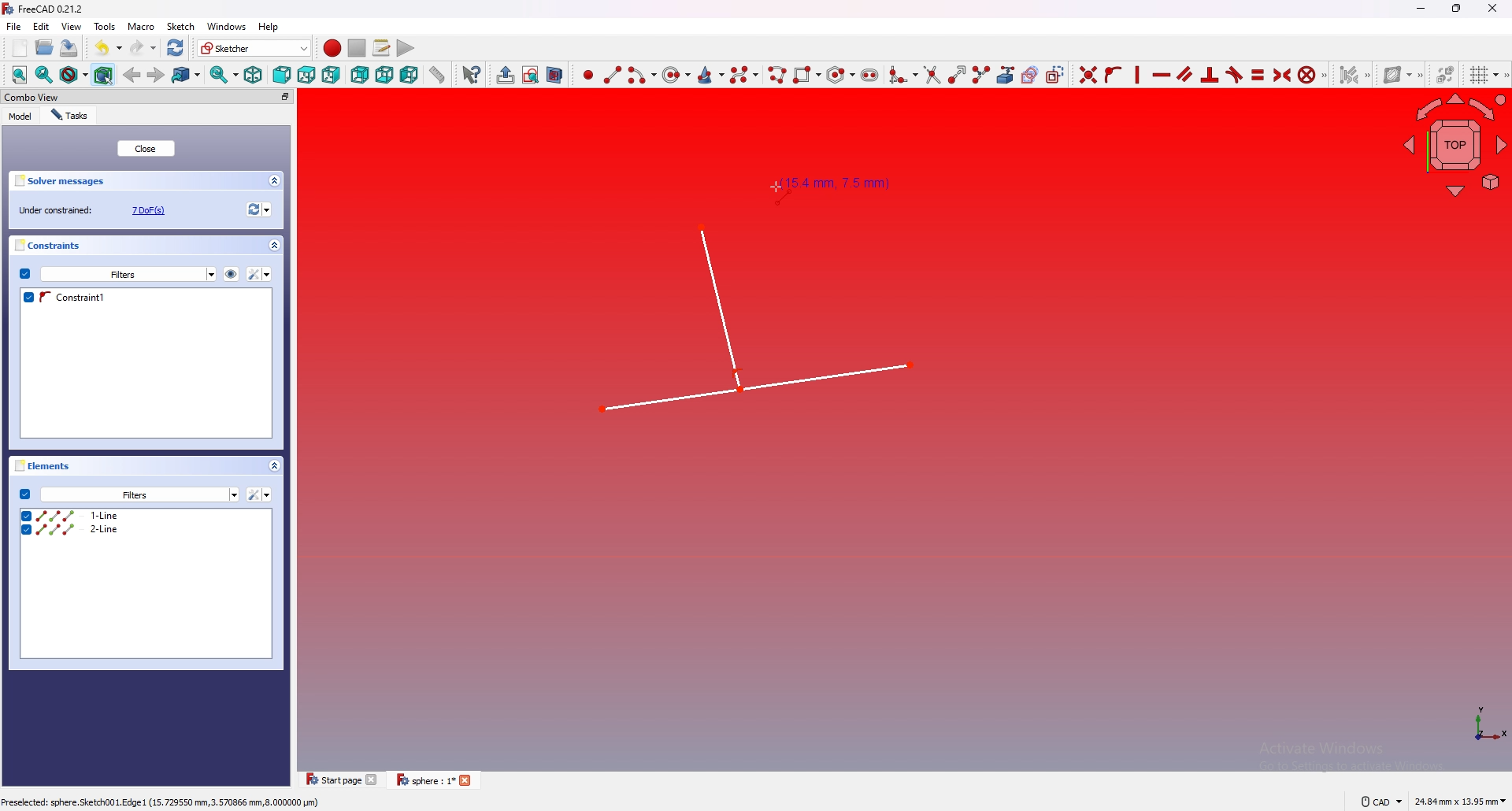 The height and width of the screenshot is (811, 1512). I want to click on Sketcher, so click(252, 48).